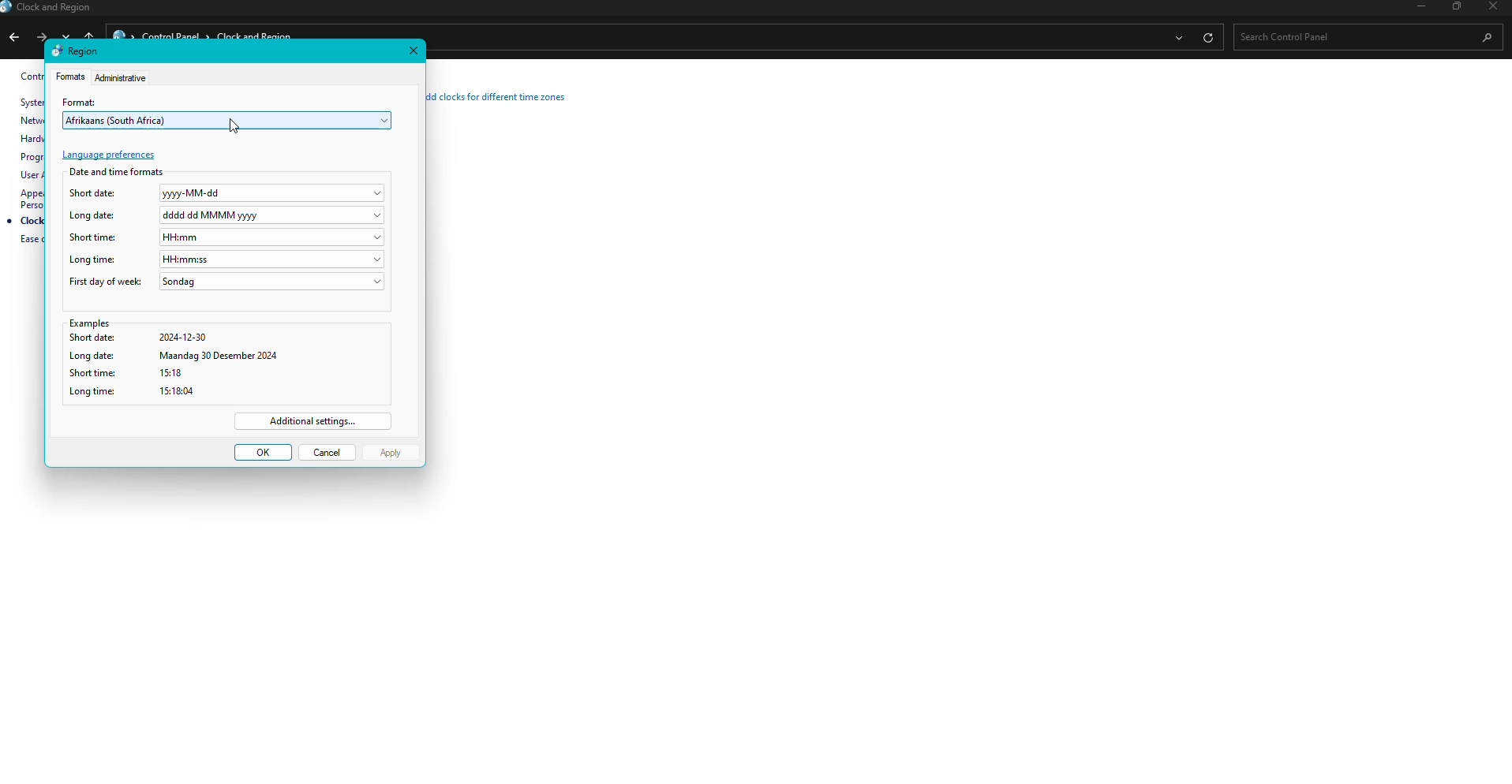  Describe the element at coordinates (51, 9) in the screenshot. I see `Clock and region` at that location.